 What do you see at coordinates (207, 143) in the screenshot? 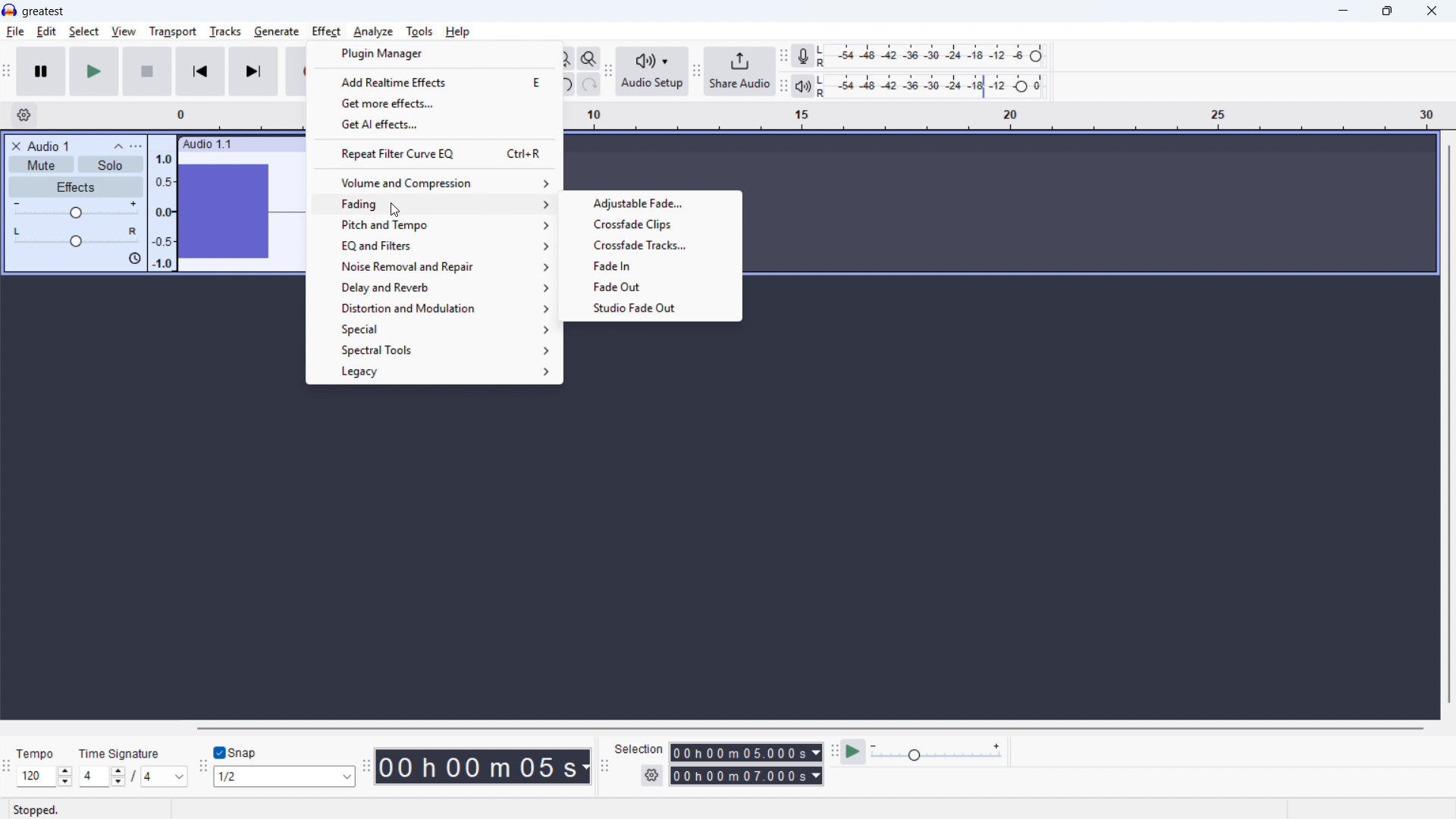
I see `audio 1.1` at bounding box center [207, 143].